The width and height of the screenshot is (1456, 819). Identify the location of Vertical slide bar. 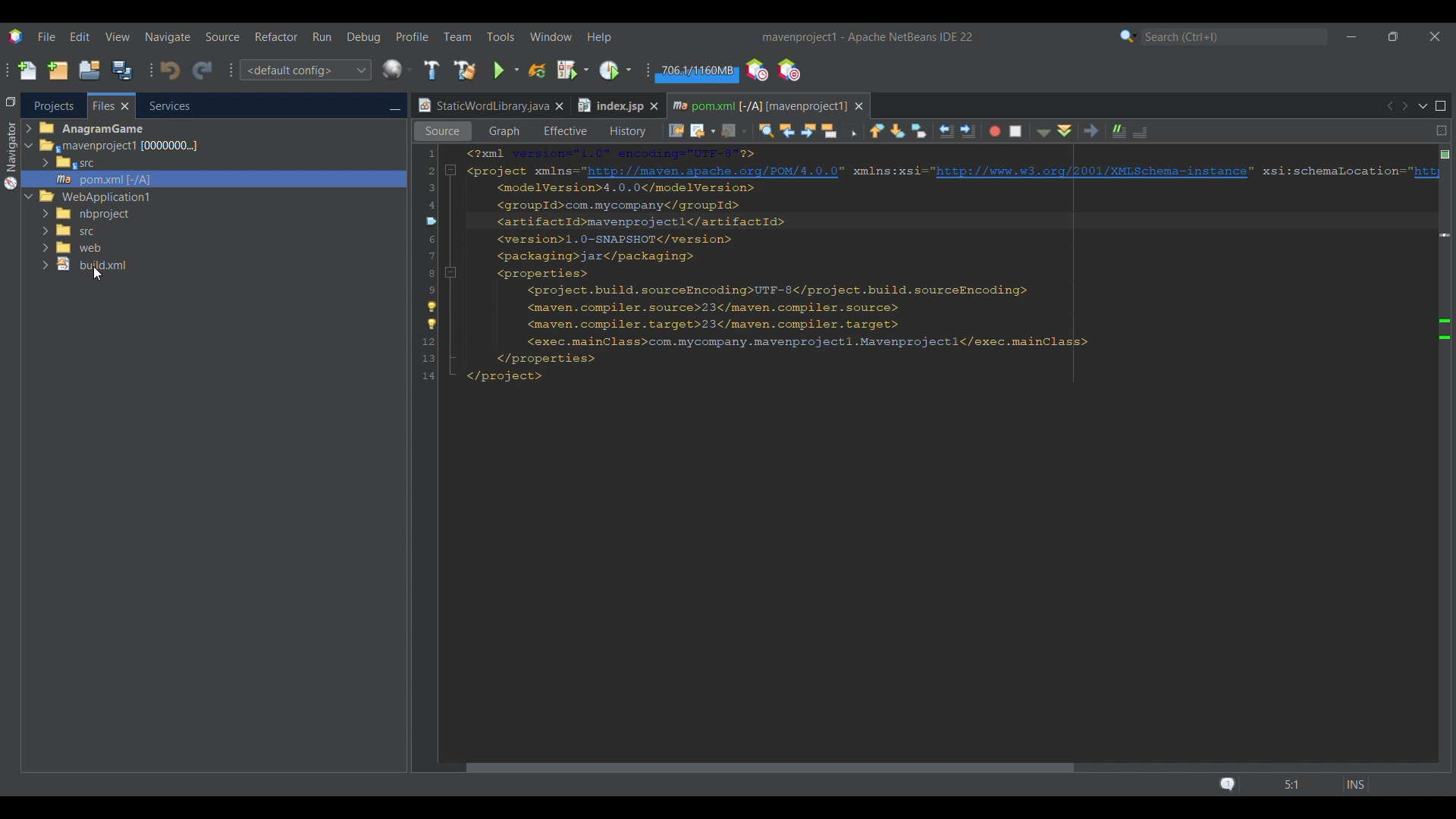
(1436, 461).